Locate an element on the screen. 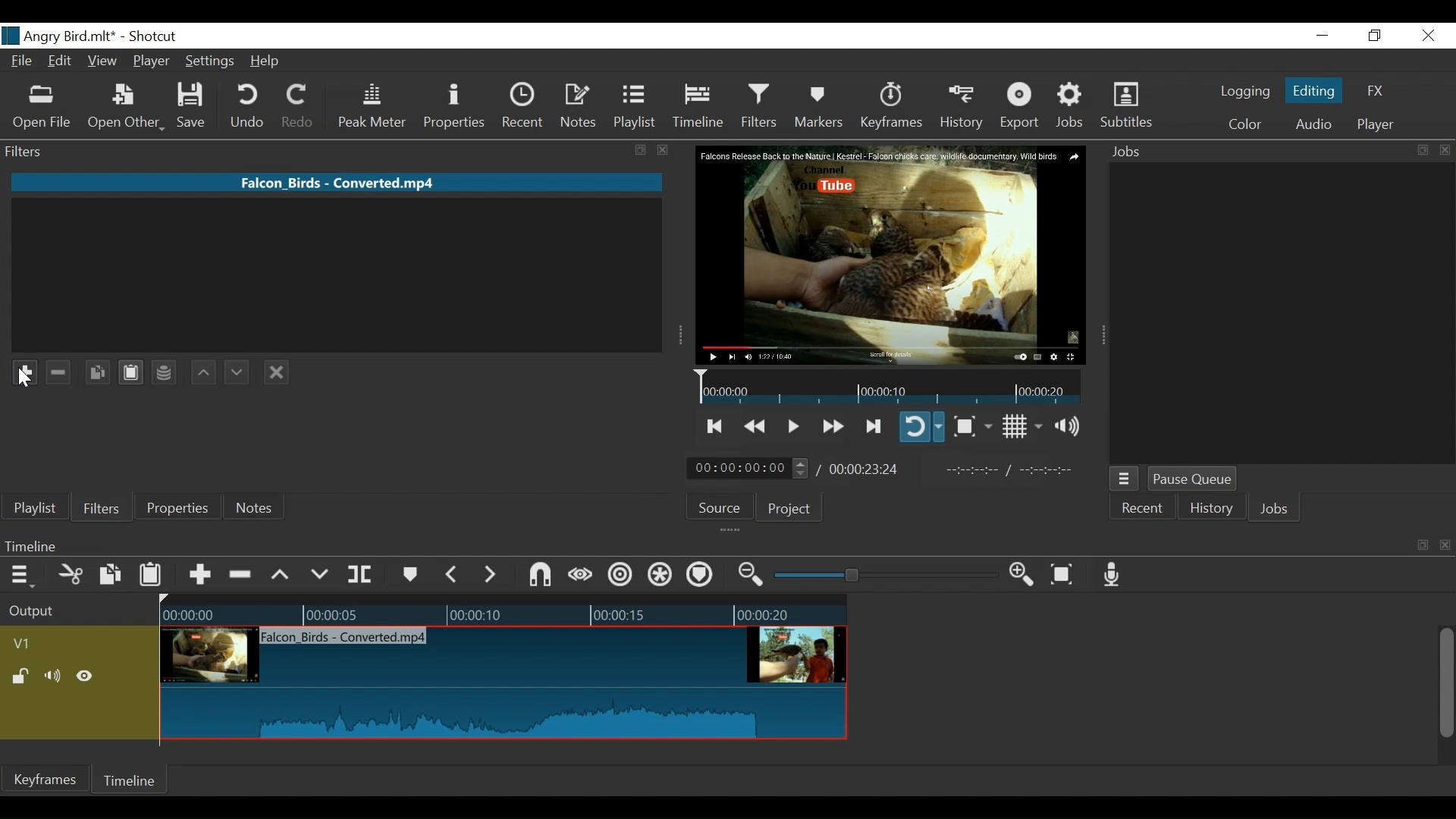 This screenshot has height=819, width=1456. Open Other is located at coordinates (126, 107).